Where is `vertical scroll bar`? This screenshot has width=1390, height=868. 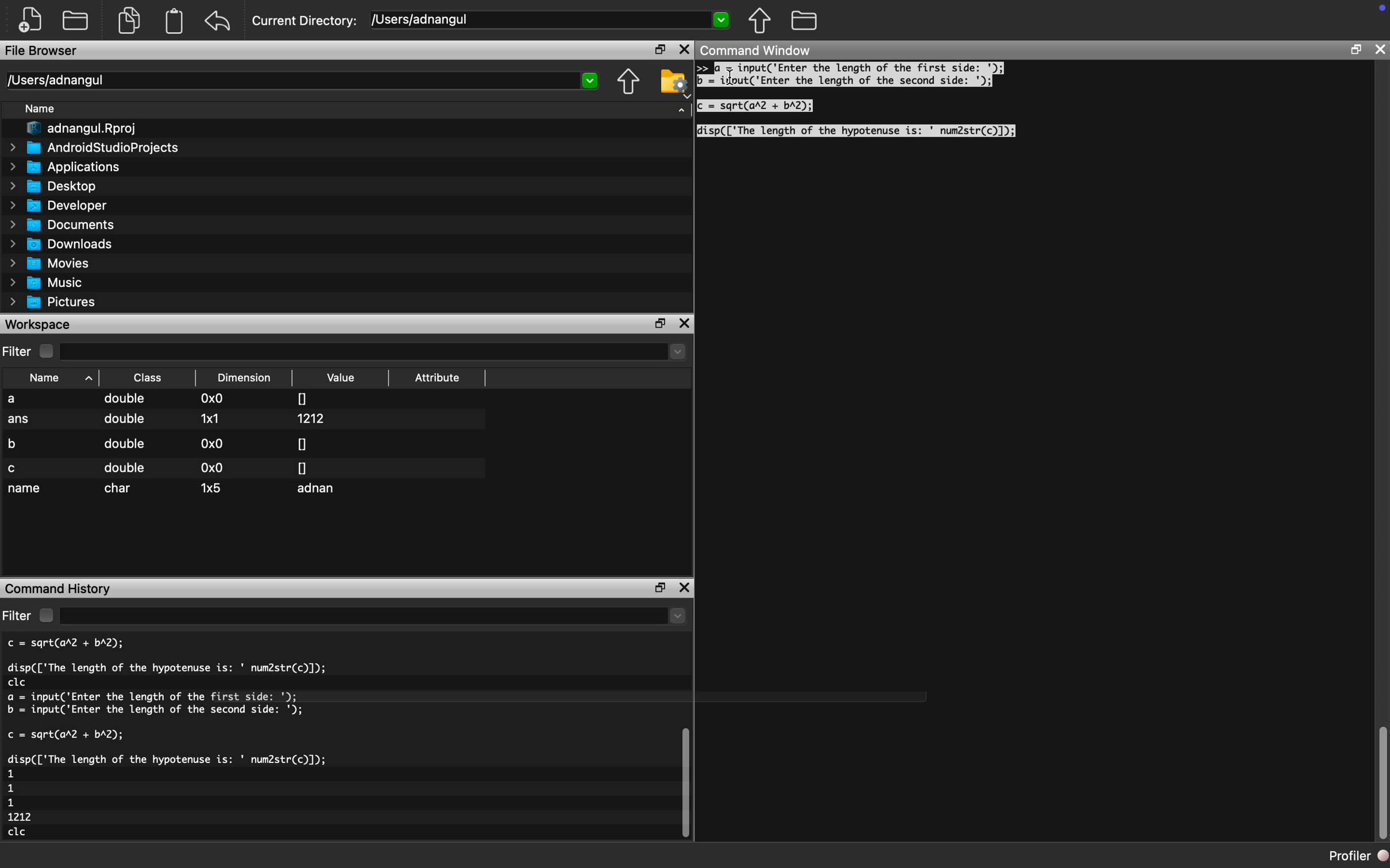
vertical scroll bar is located at coordinates (682, 781).